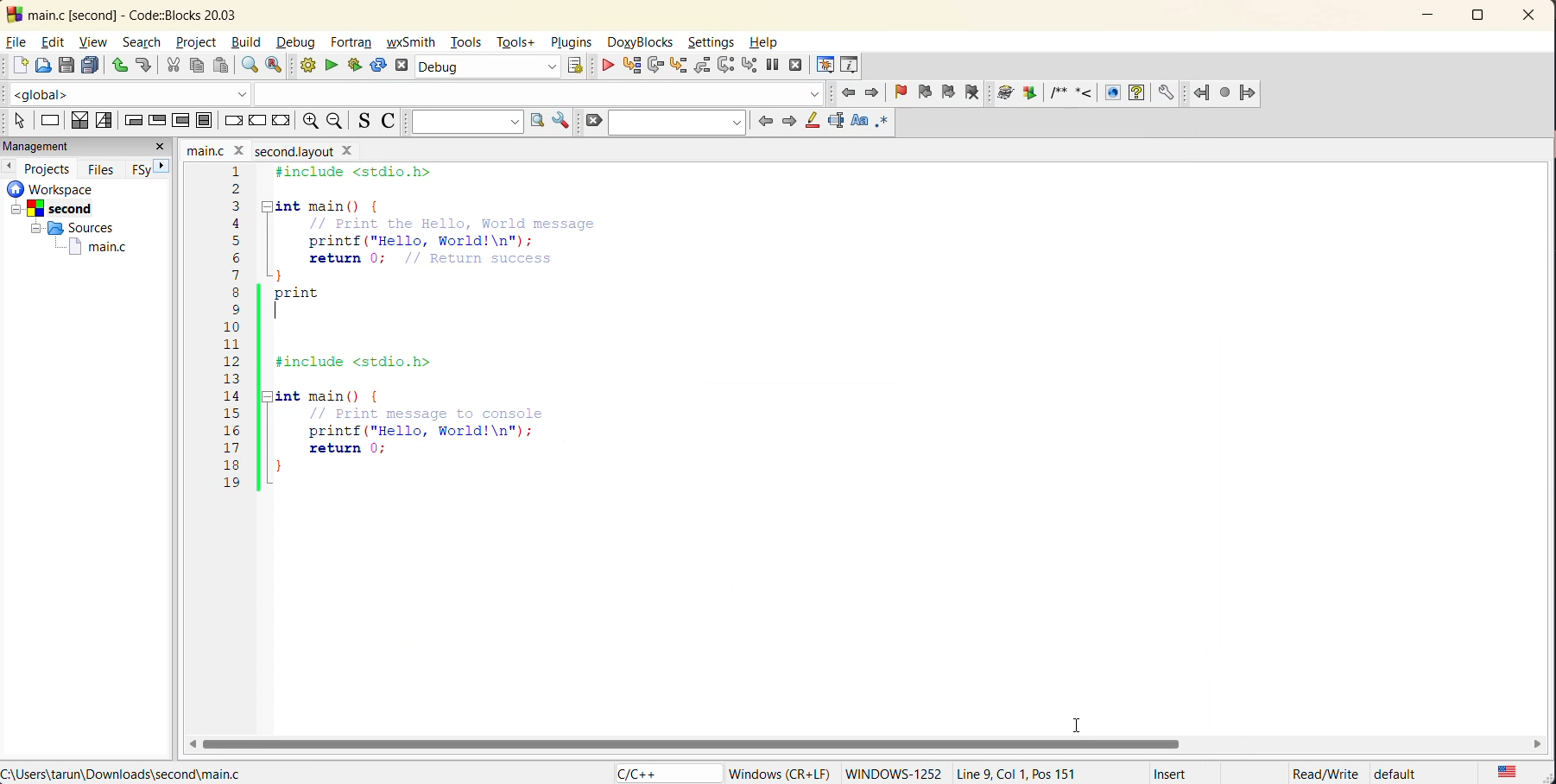 The height and width of the screenshot is (784, 1556). What do you see at coordinates (413, 44) in the screenshot?
I see `wxsmith` at bounding box center [413, 44].